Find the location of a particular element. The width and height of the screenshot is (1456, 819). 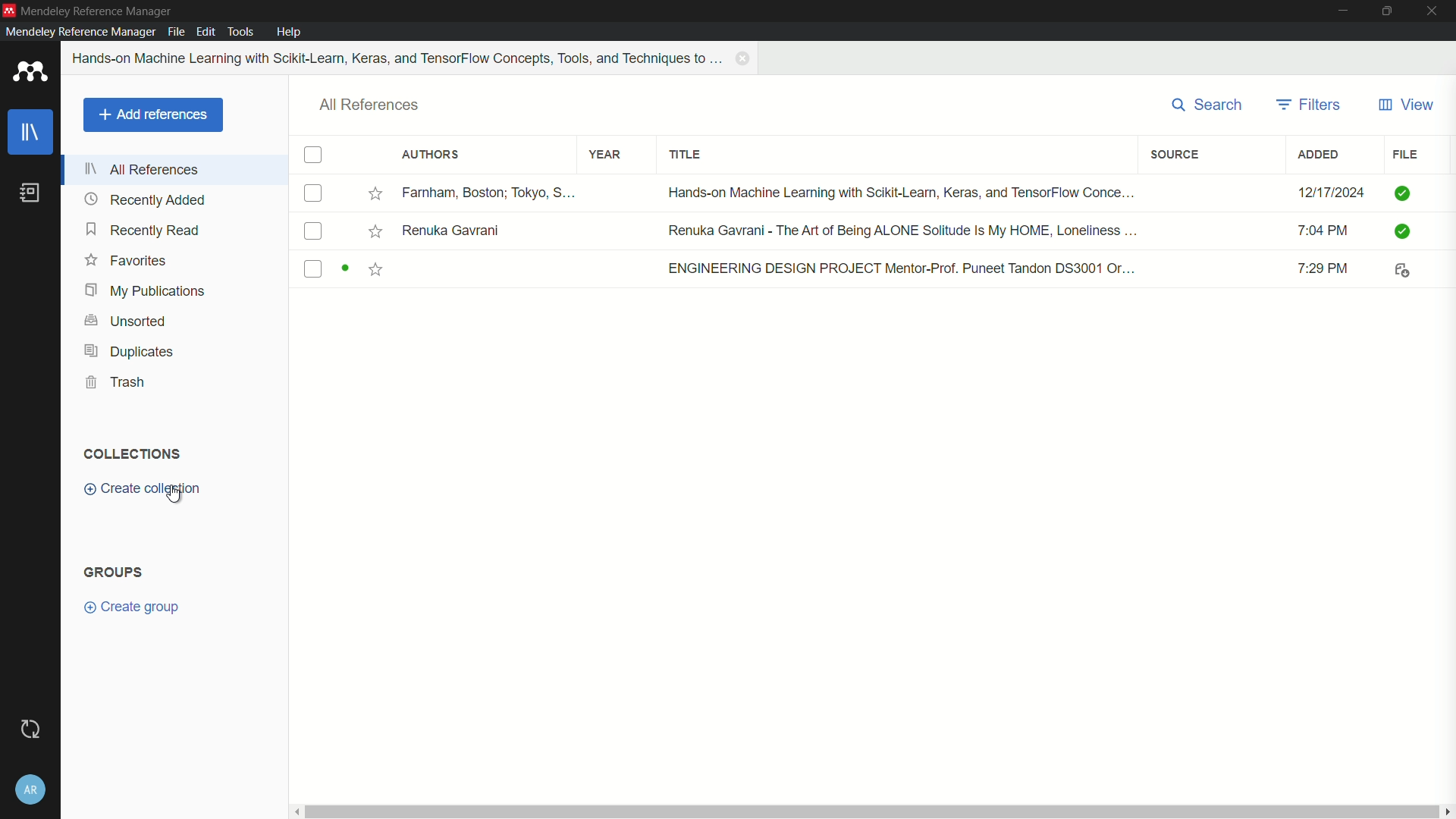

edit menu is located at coordinates (206, 32).